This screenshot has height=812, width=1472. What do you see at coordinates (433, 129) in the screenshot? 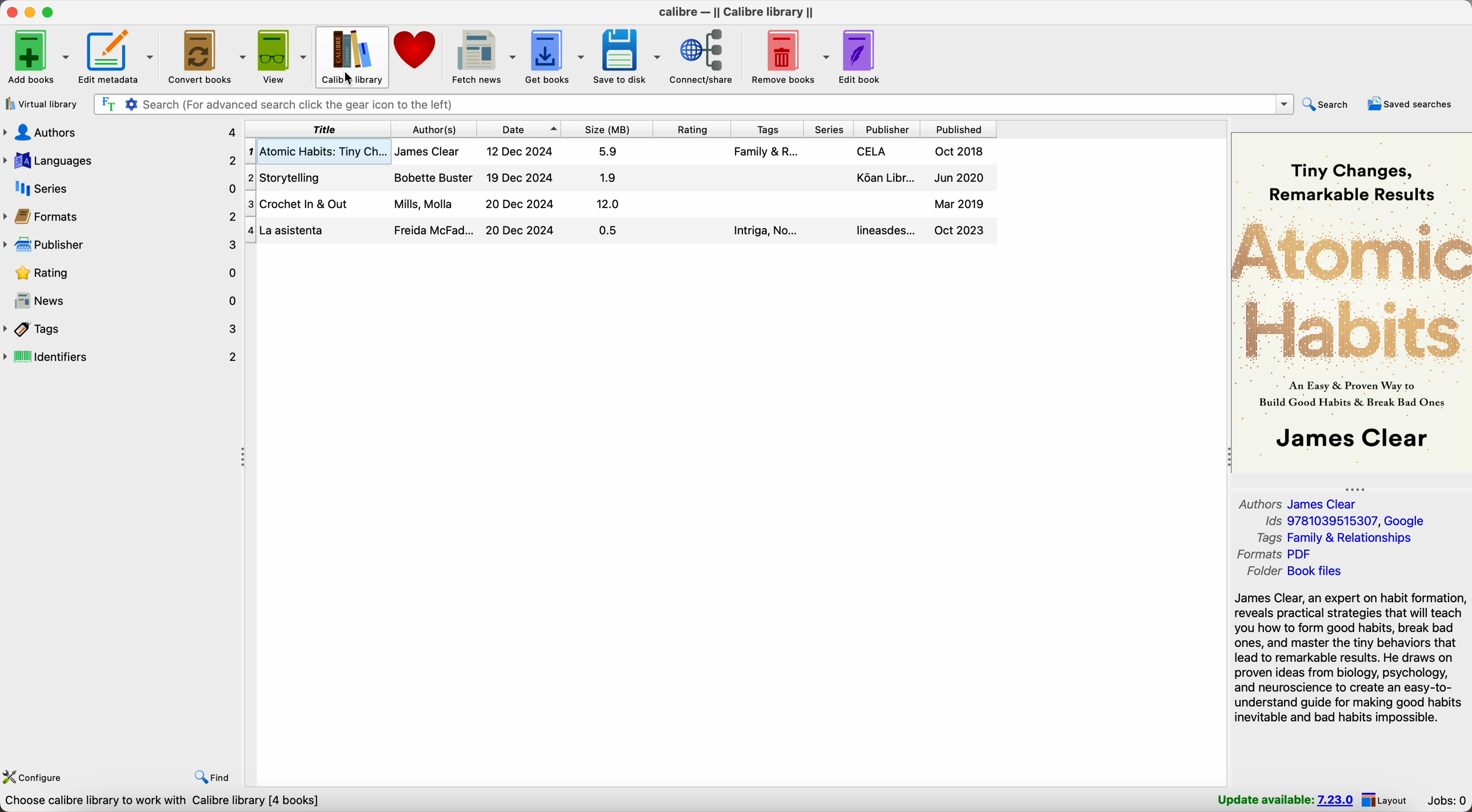
I see `author(s)` at bounding box center [433, 129].